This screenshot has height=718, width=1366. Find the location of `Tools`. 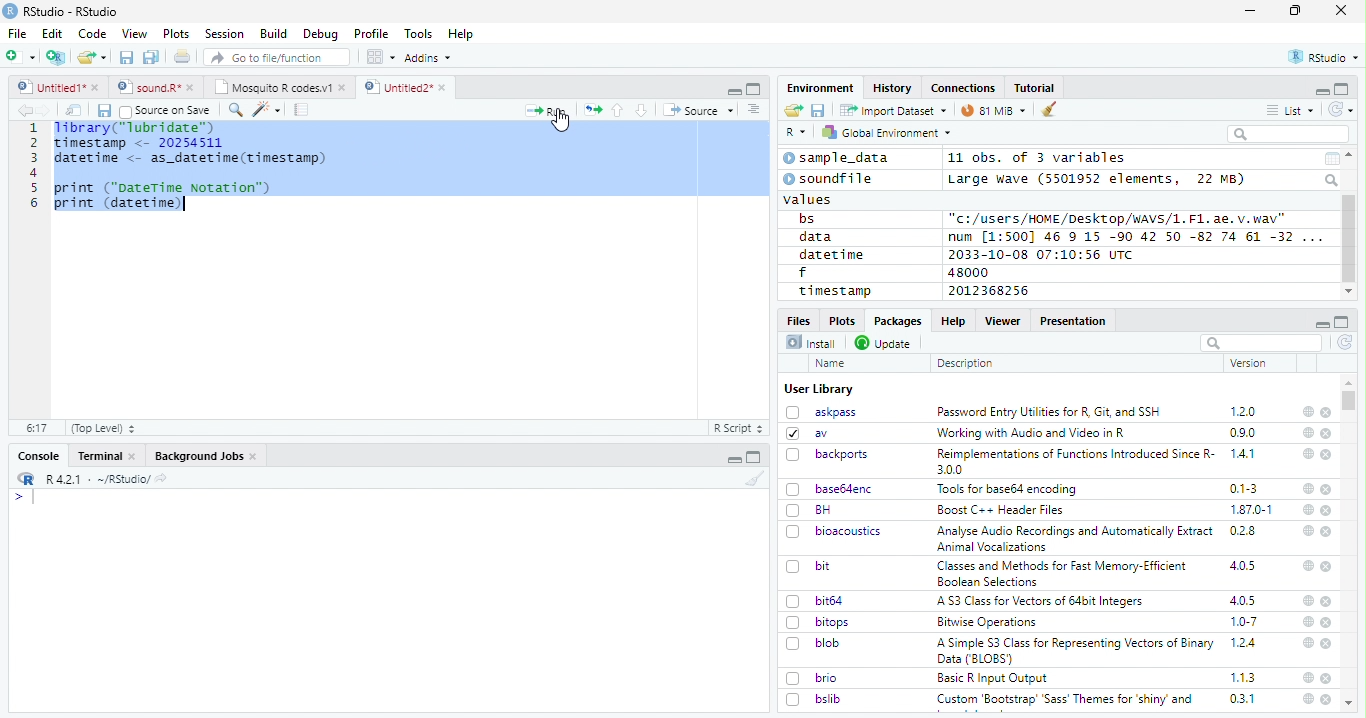

Tools is located at coordinates (417, 34).